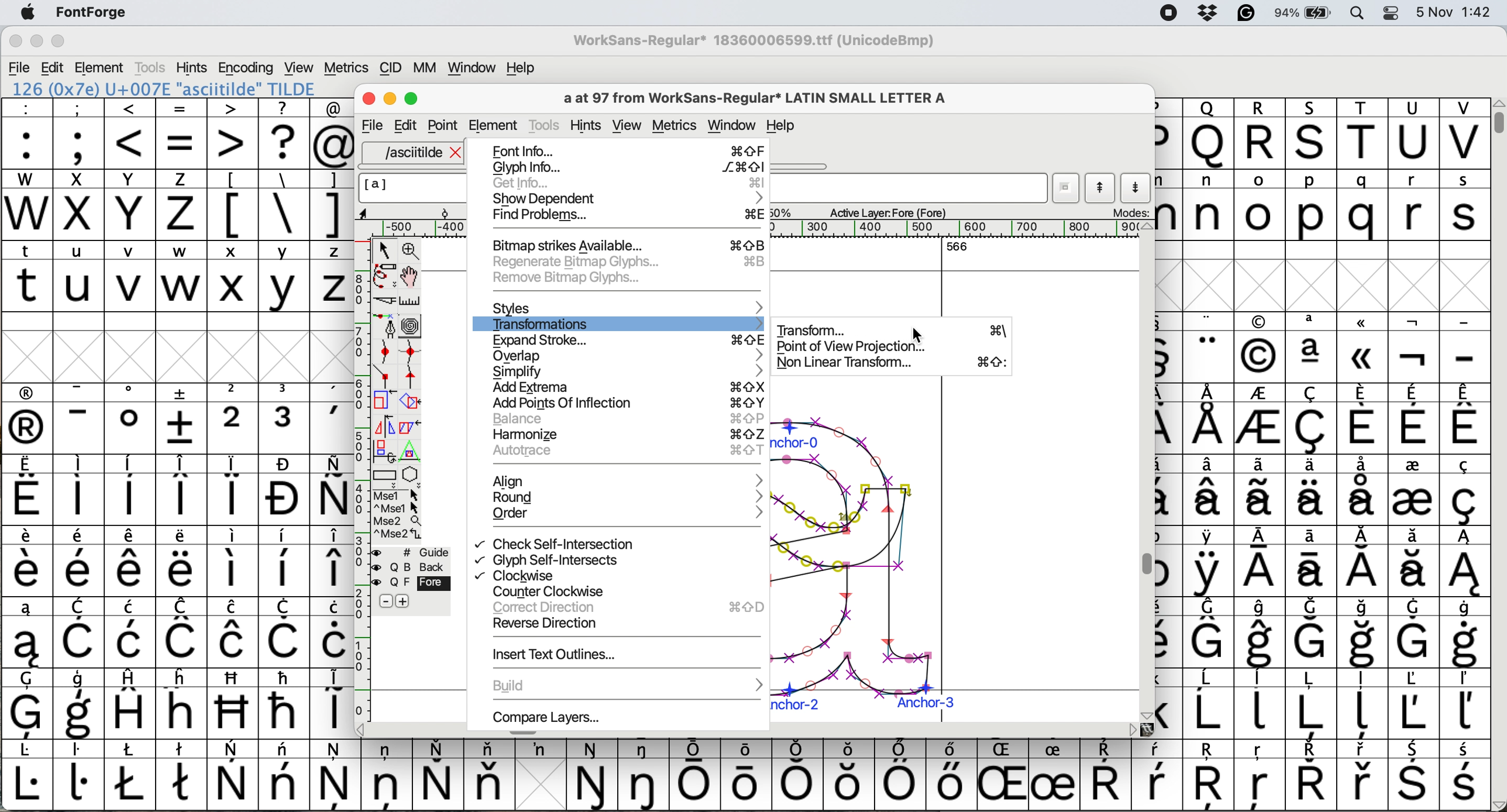  What do you see at coordinates (233, 133) in the screenshot?
I see `>` at bounding box center [233, 133].